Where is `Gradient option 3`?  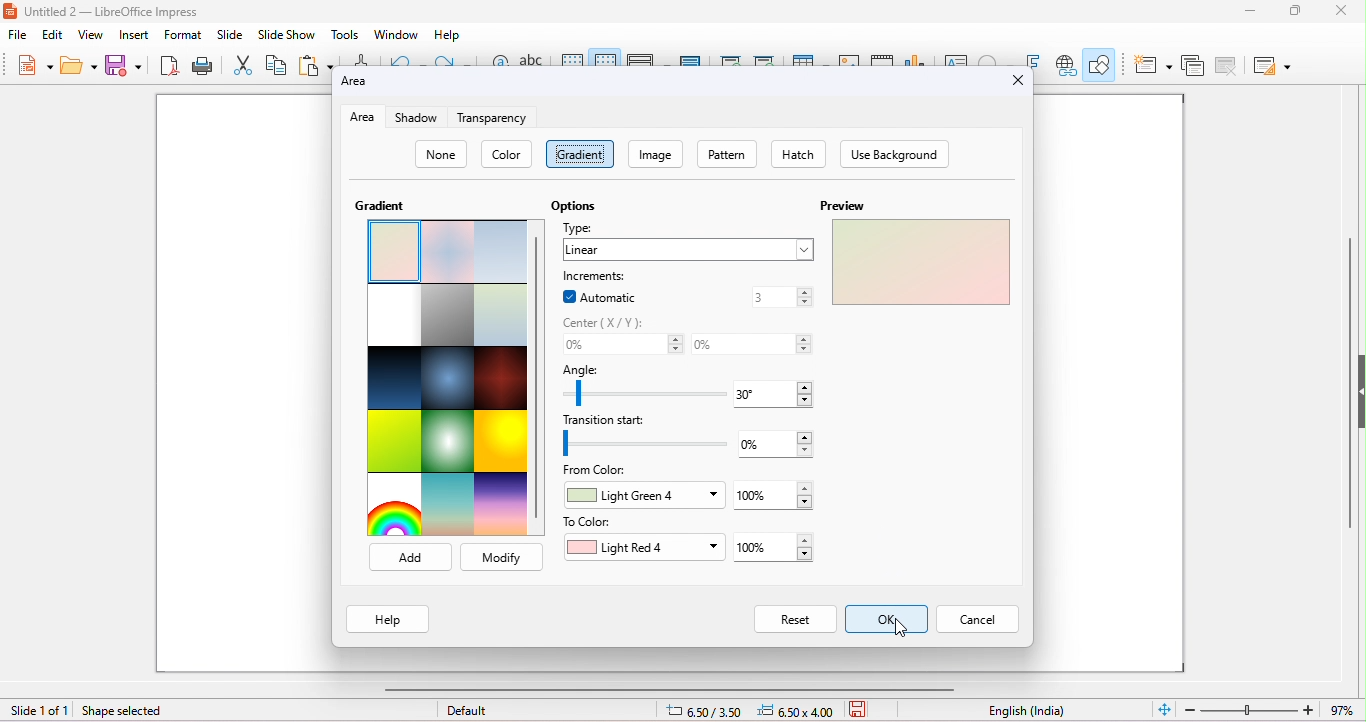
Gradient option 3 is located at coordinates (504, 252).